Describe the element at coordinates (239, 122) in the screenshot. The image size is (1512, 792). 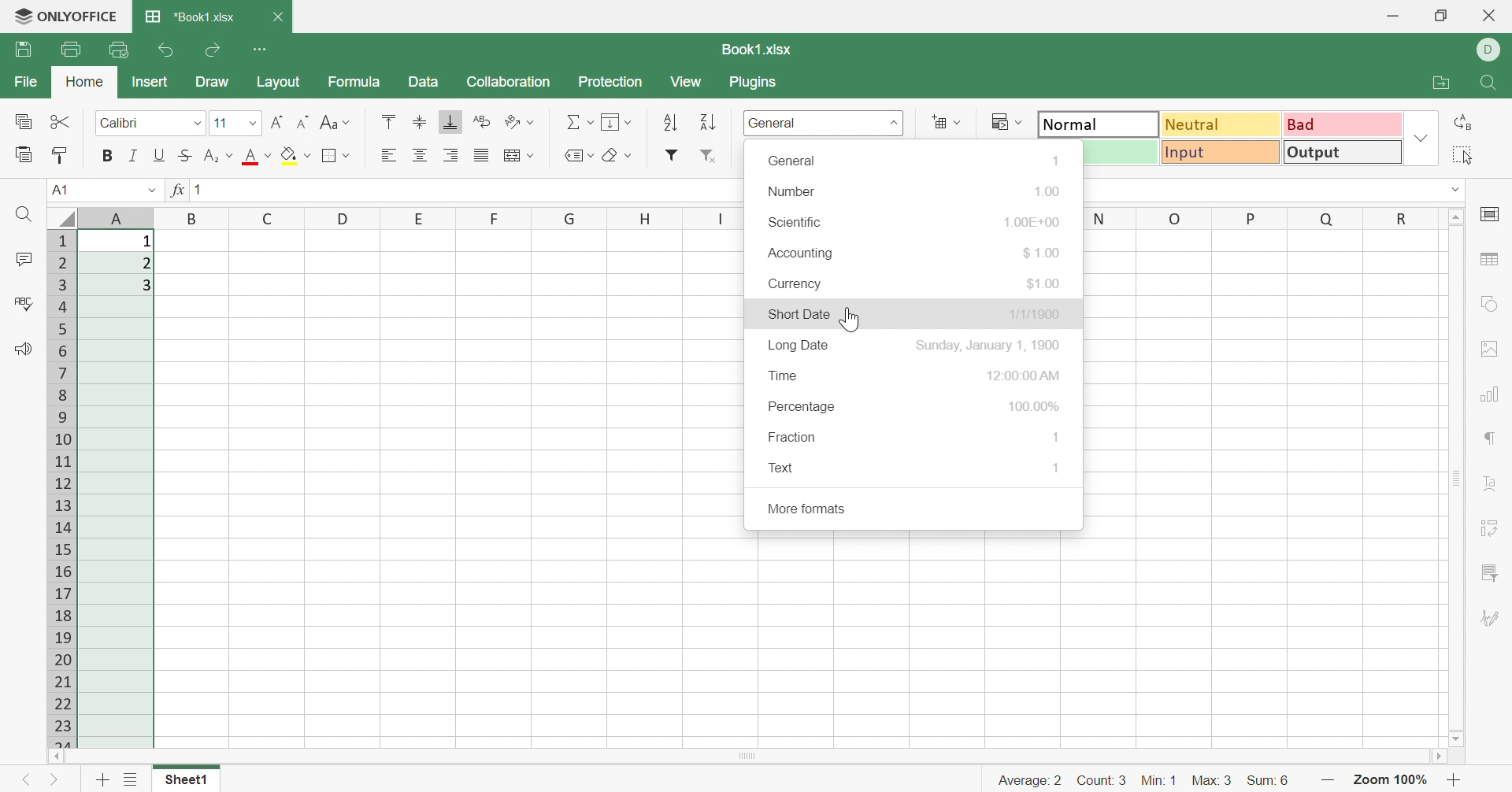
I see `Font` at that location.